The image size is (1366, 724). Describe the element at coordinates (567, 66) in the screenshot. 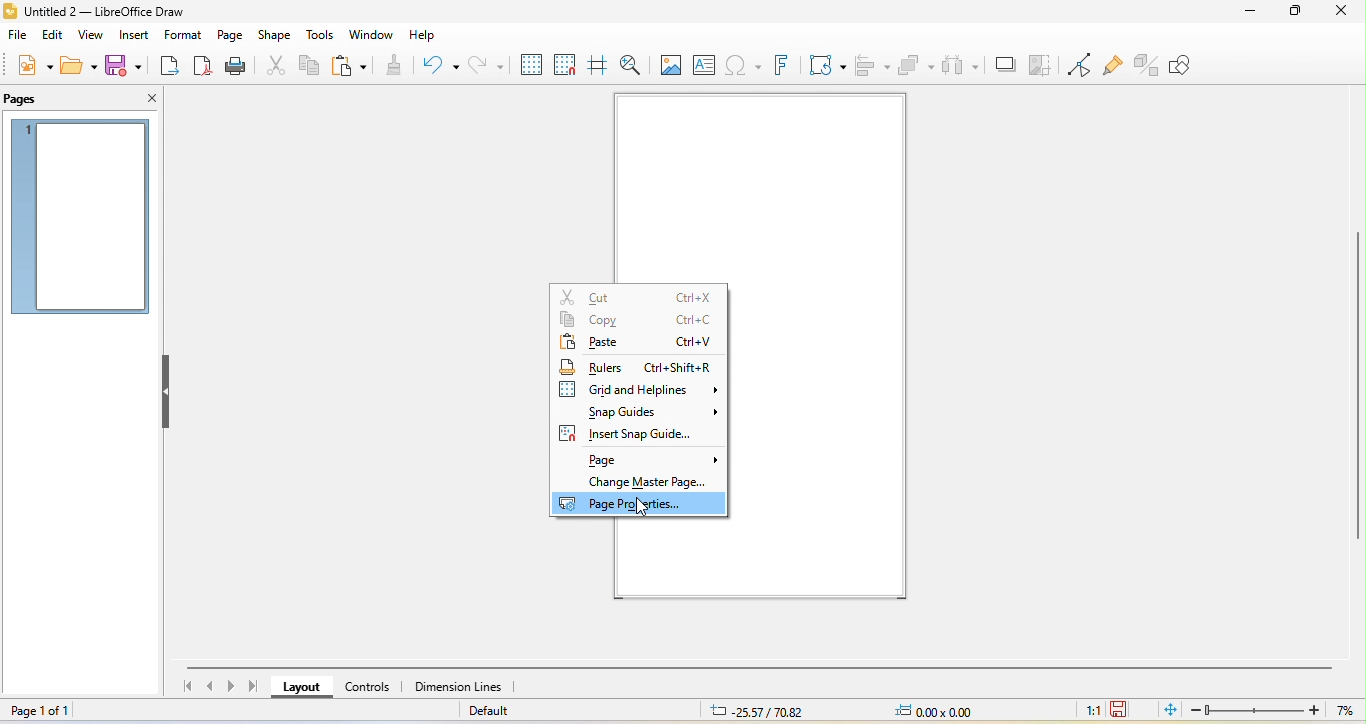

I see `snap to grid` at that location.